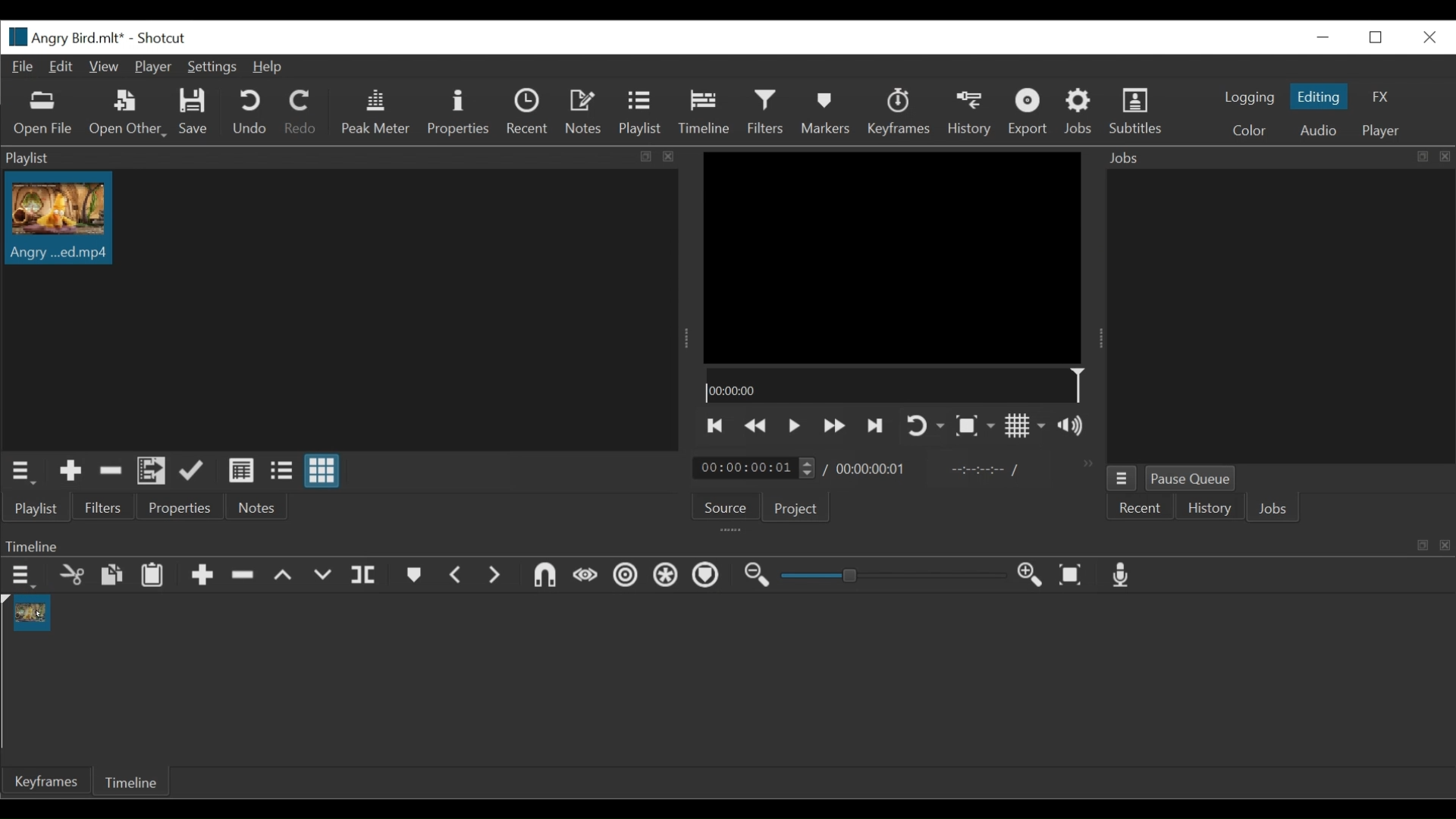 Image resolution: width=1456 pixels, height=819 pixels. What do you see at coordinates (194, 472) in the screenshot?
I see `Update` at bounding box center [194, 472].